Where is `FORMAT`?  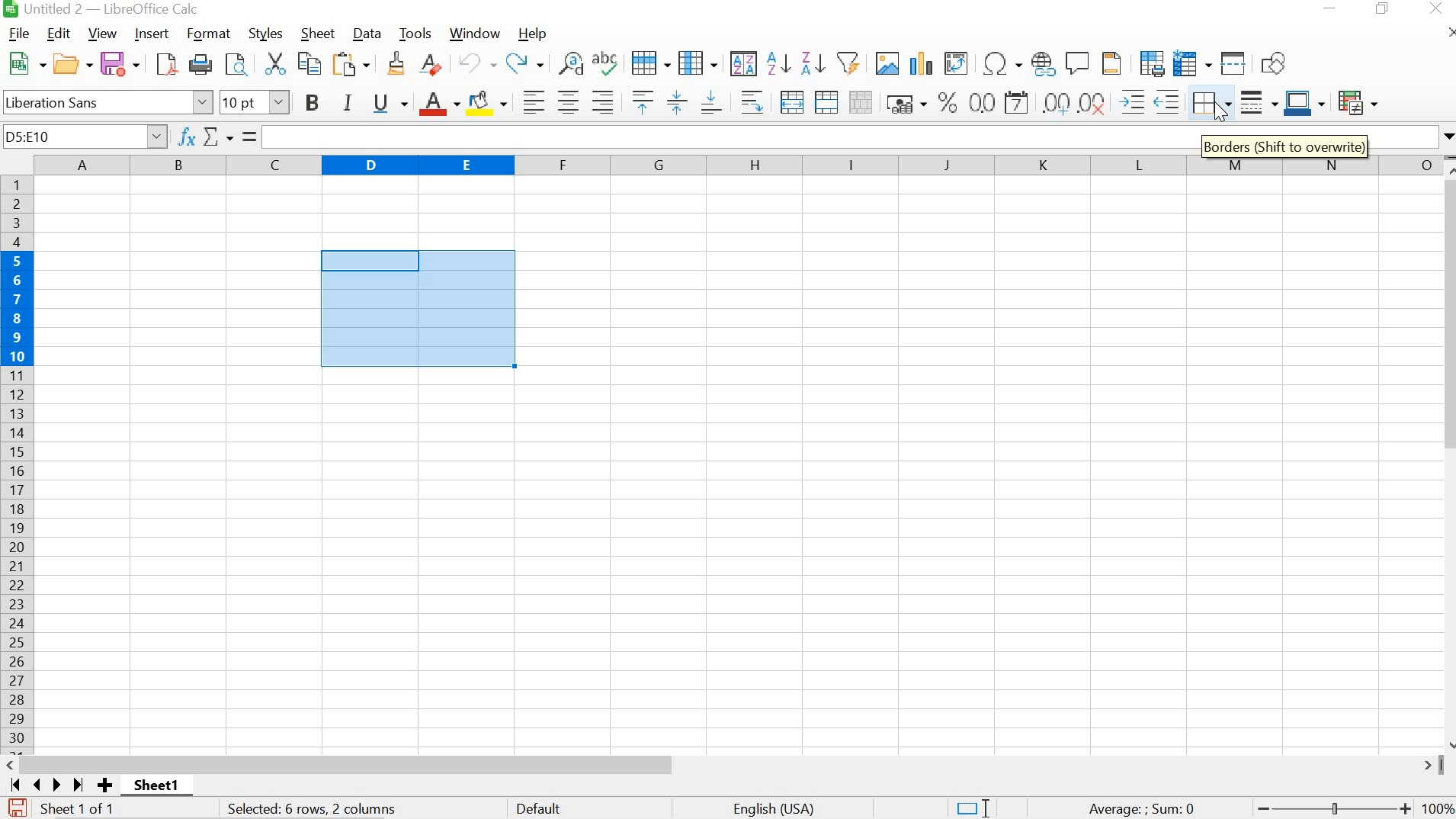 FORMAT is located at coordinates (207, 34).